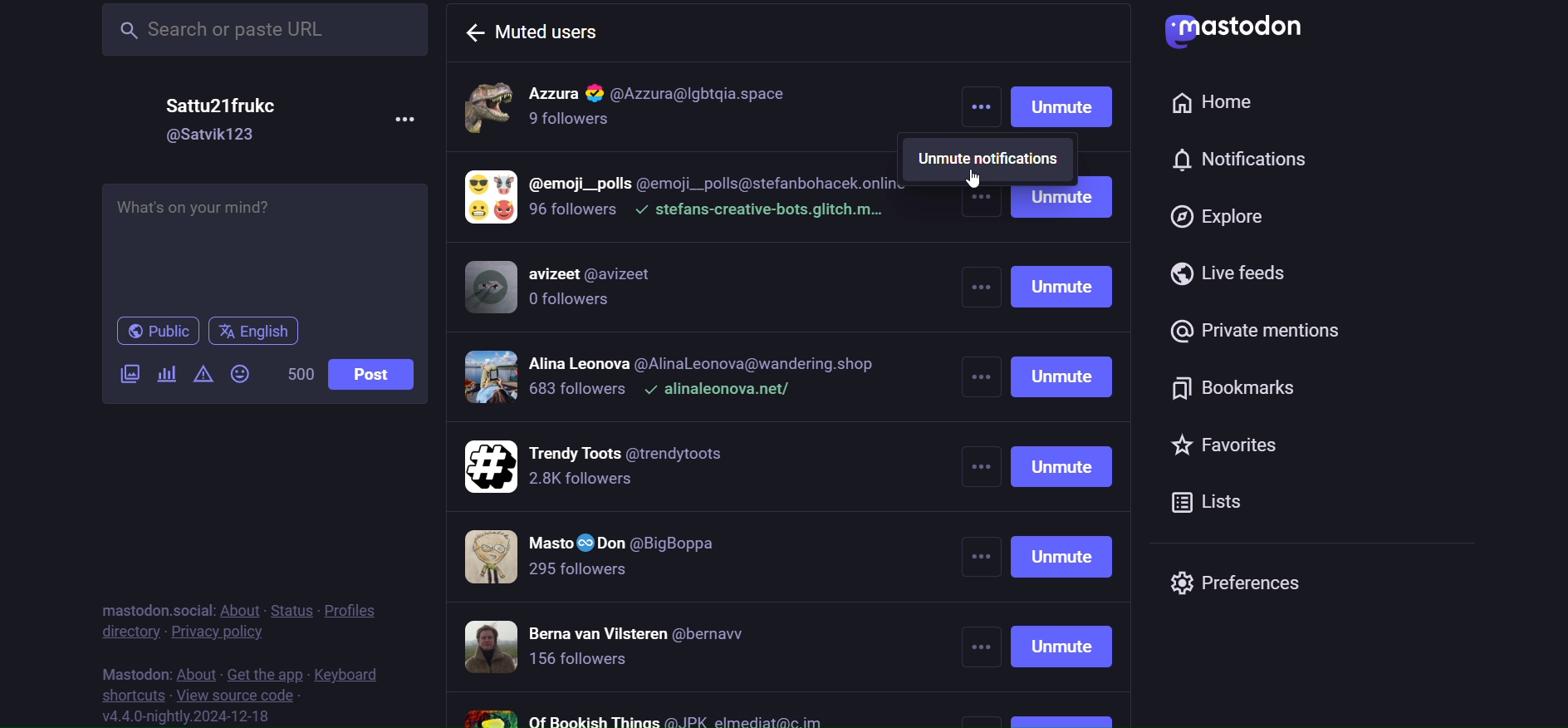  Describe the element at coordinates (223, 104) in the screenshot. I see `name` at that location.